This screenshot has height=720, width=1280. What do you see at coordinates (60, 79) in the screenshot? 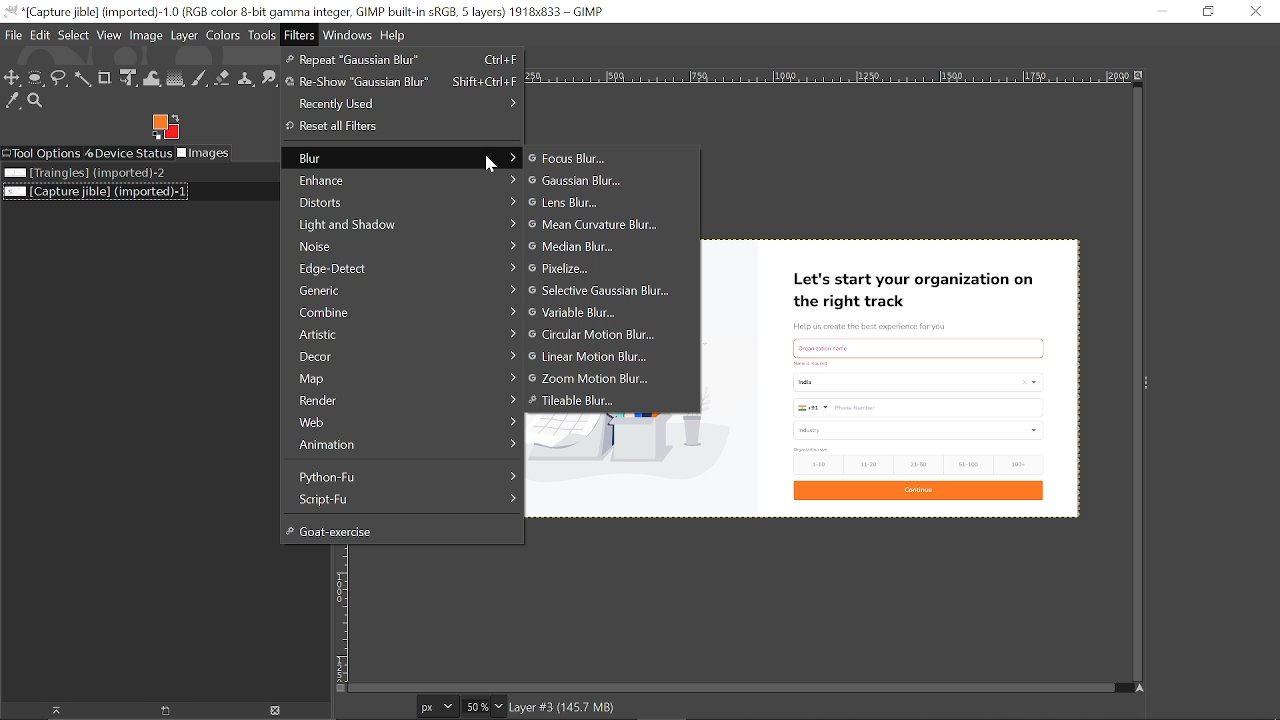
I see `Free select tool` at bounding box center [60, 79].